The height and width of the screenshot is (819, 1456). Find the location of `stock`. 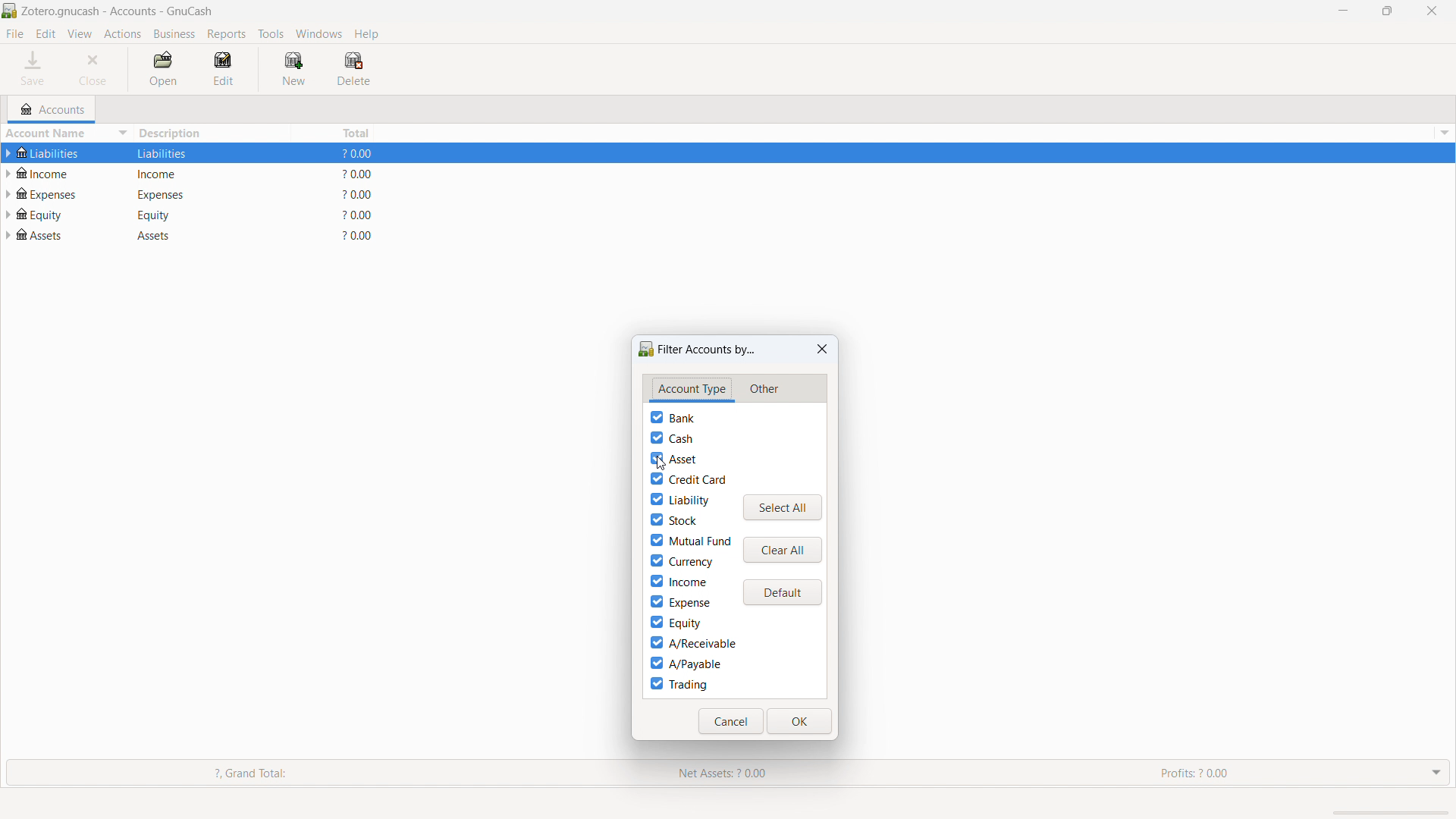

stock is located at coordinates (673, 519).